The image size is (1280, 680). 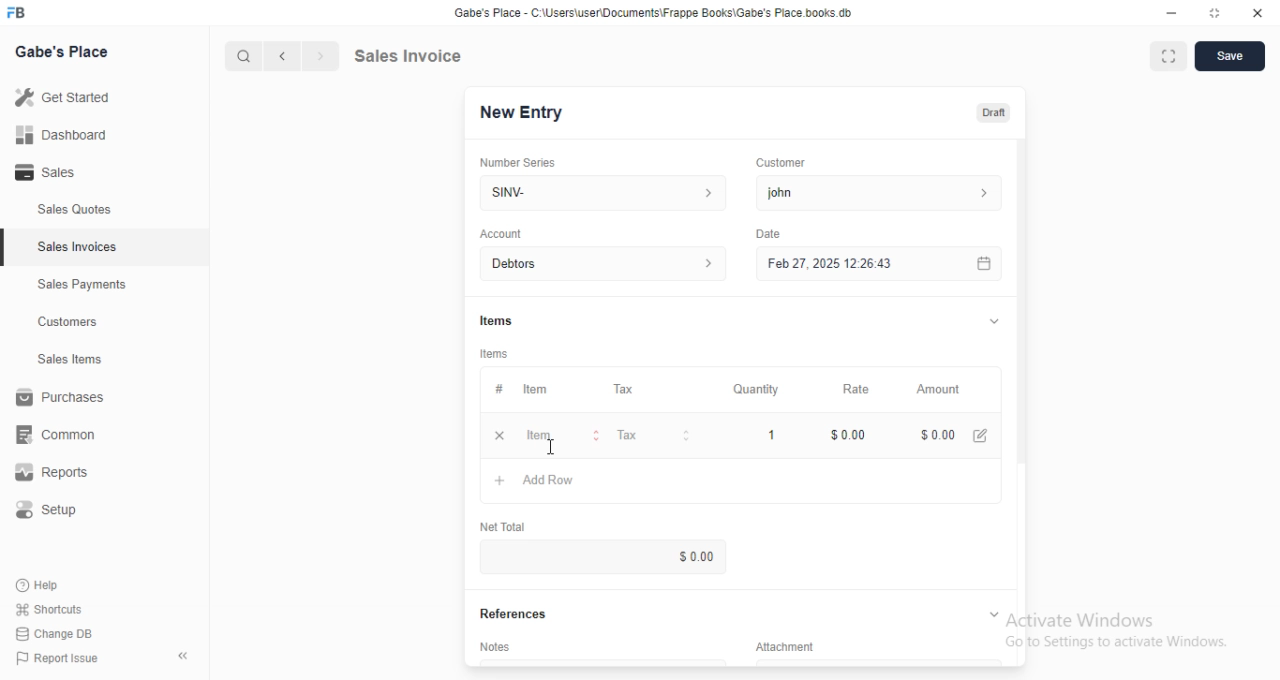 I want to click on Shortcuts, so click(x=50, y=610).